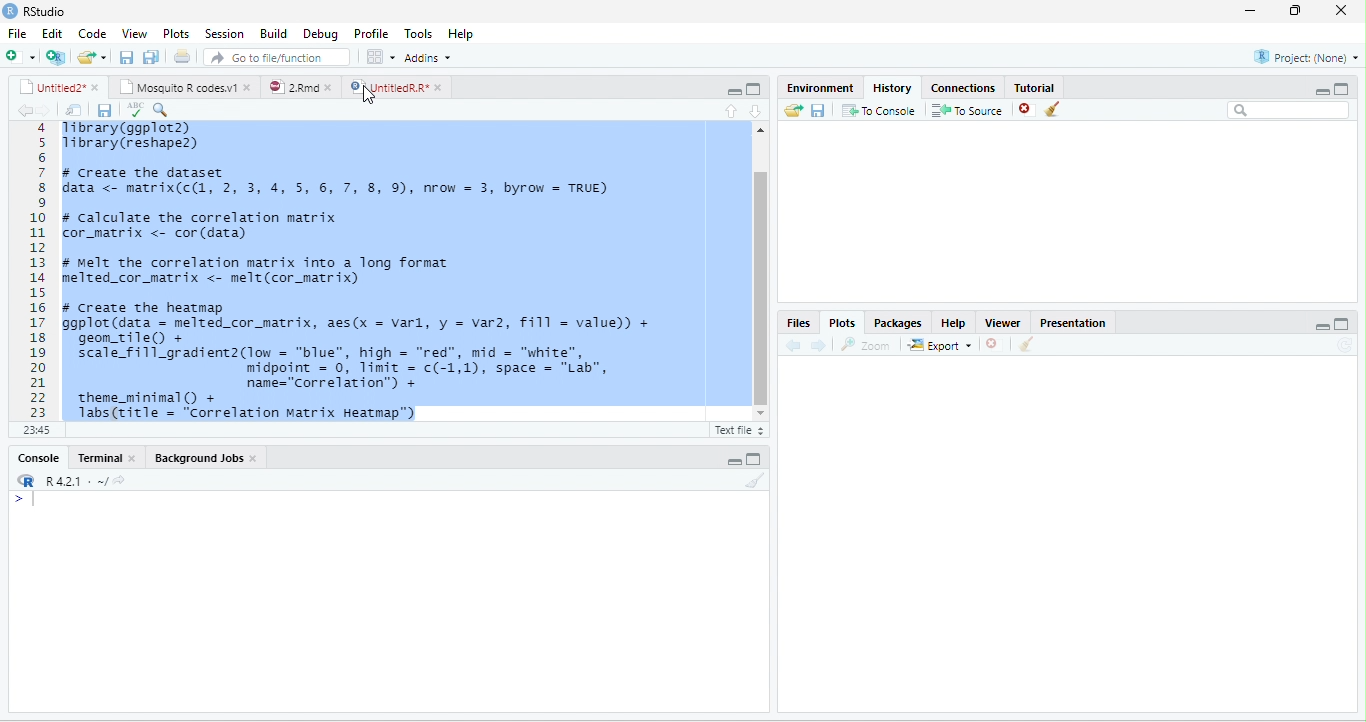 The image size is (1366, 722). What do you see at coordinates (92, 59) in the screenshot?
I see `end file` at bounding box center [92, 59].